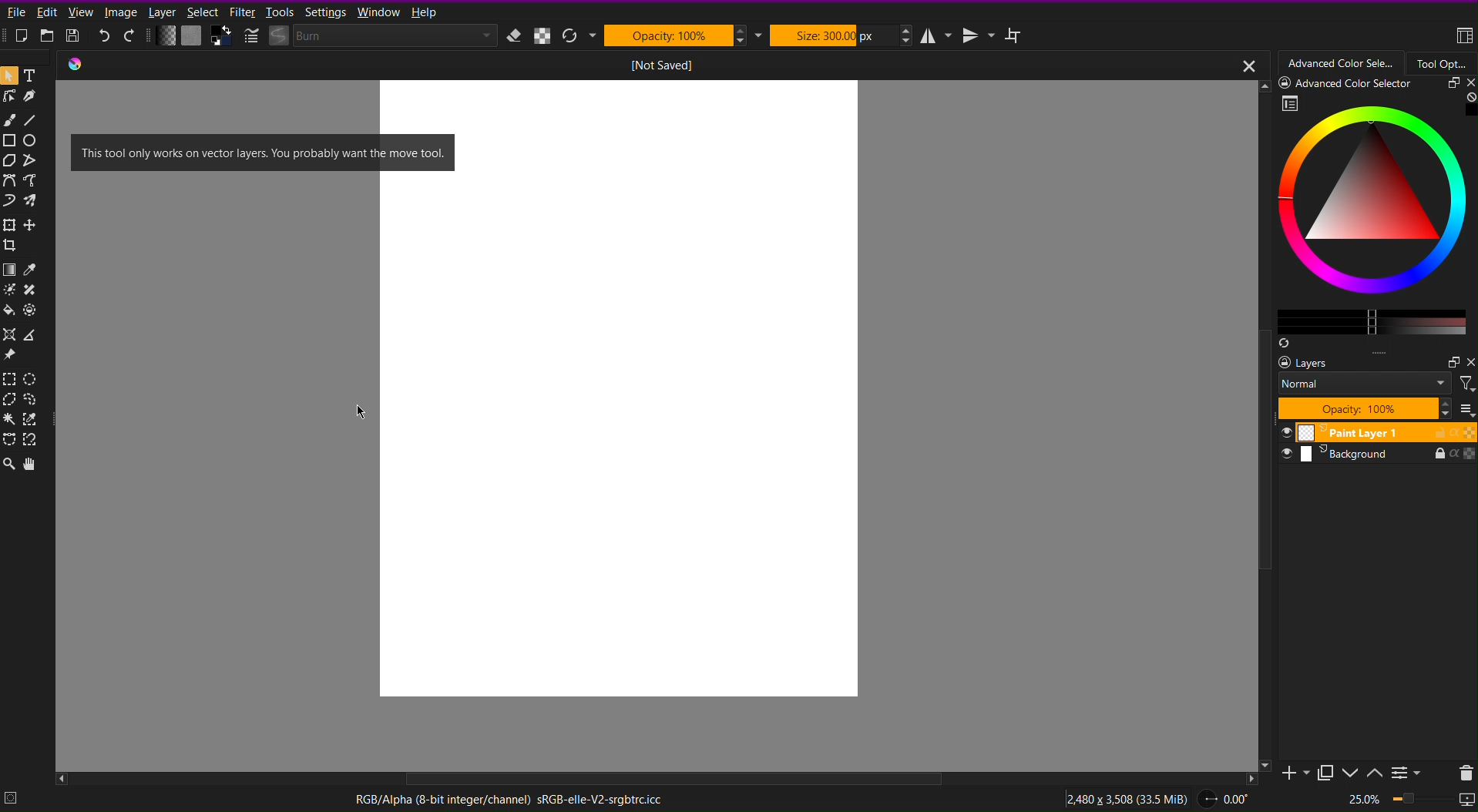 Image resolution: width=1478 pixels, height=812 pixels. Describe the element at coordinates (359, 412) in the screenshot. I see `cursor` at that location.